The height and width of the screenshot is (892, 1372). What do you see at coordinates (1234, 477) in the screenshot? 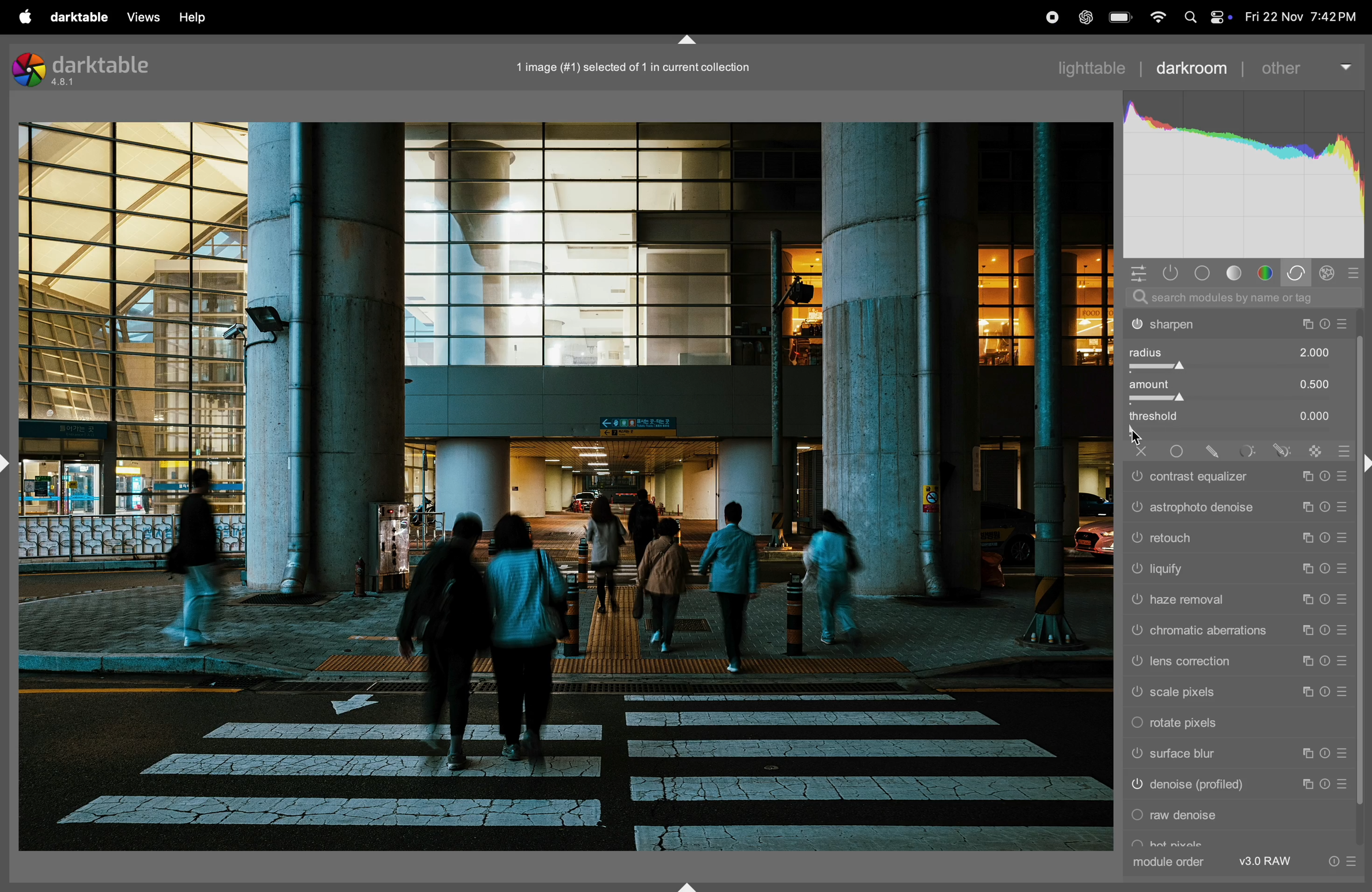
I see `contrast equalizer` at bounding box center [1234, 477].